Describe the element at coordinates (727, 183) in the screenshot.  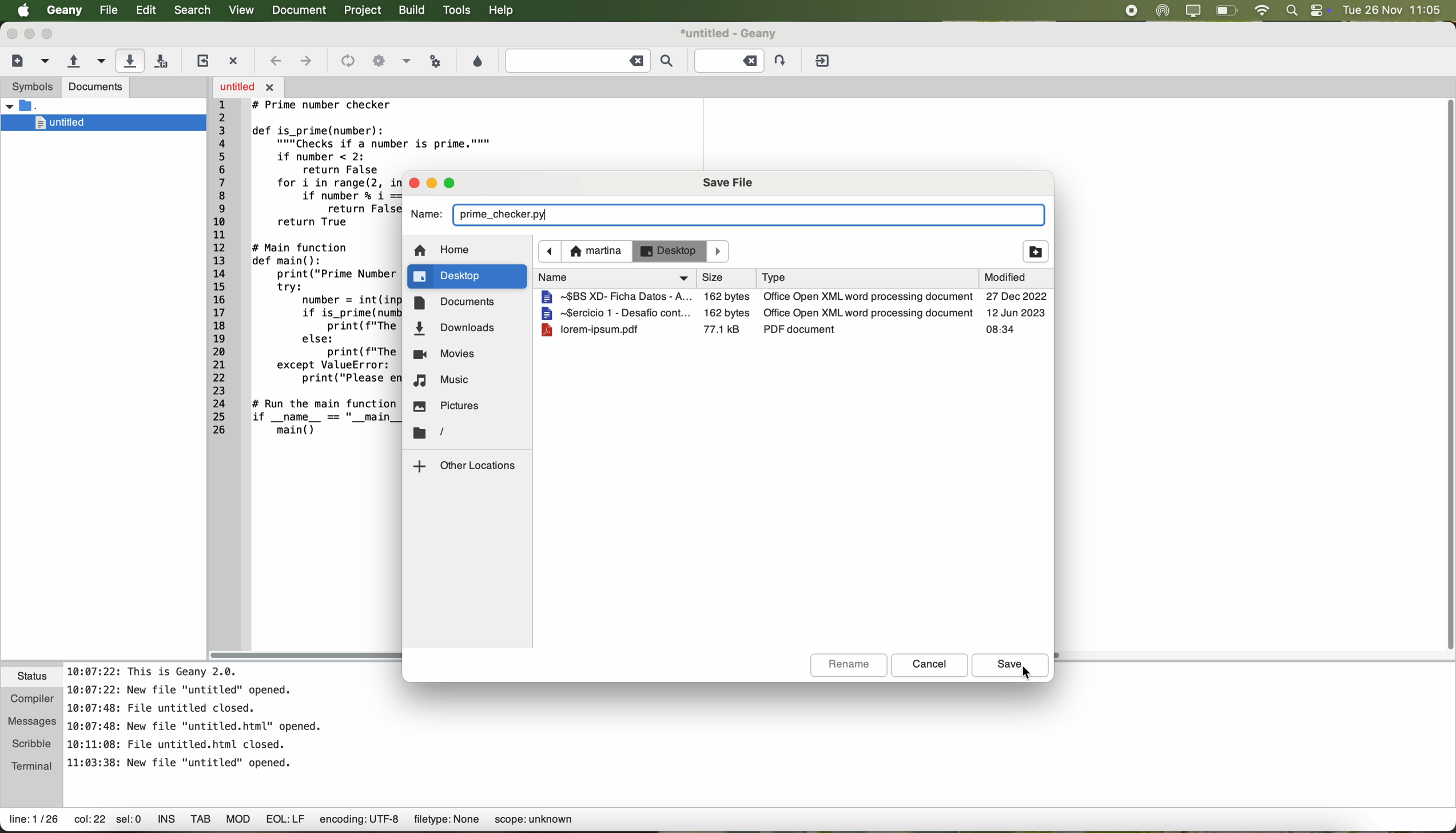
I see `save file` at that location.